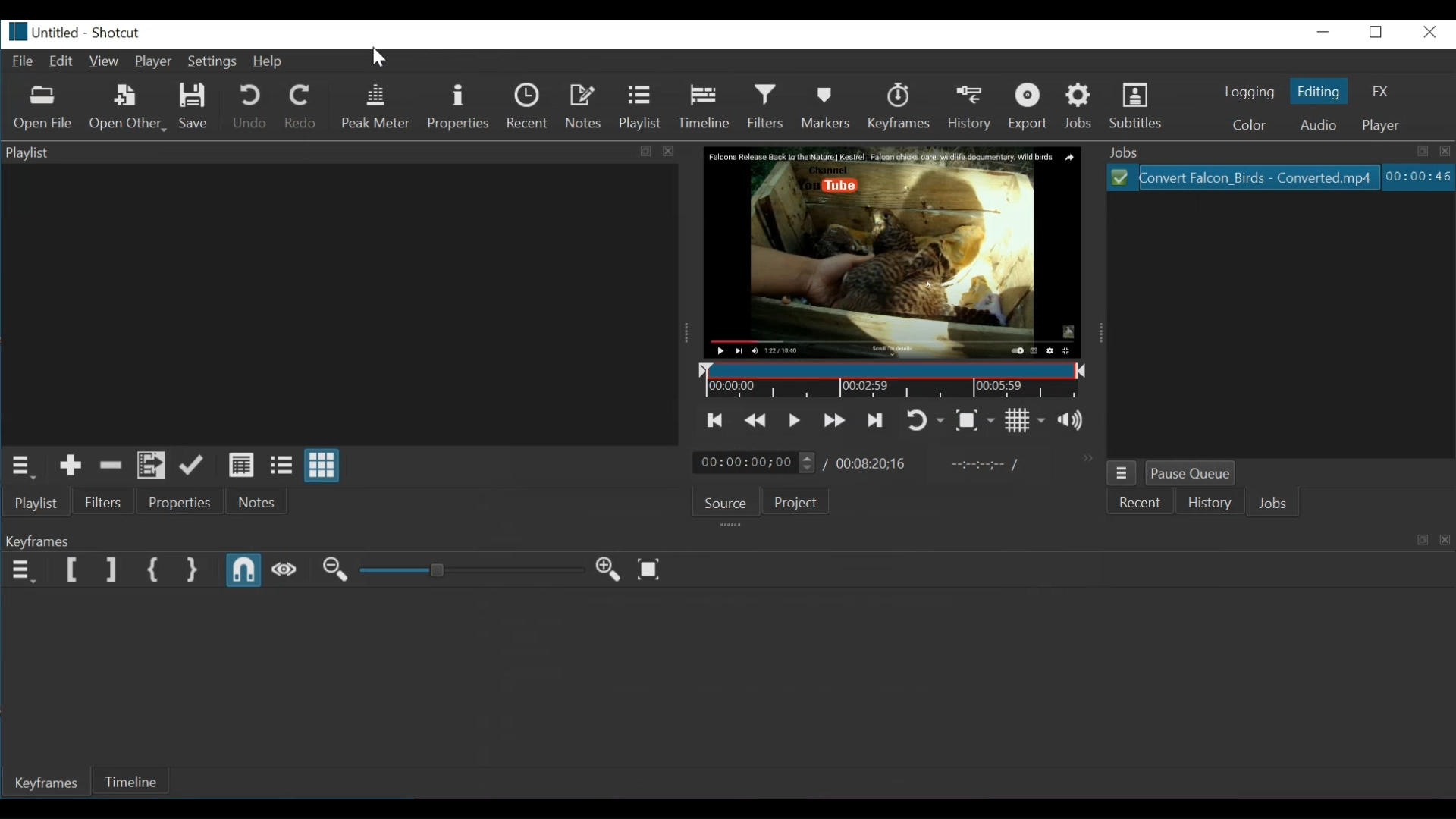  I want to click on Subtitles, so click(1141, 106).